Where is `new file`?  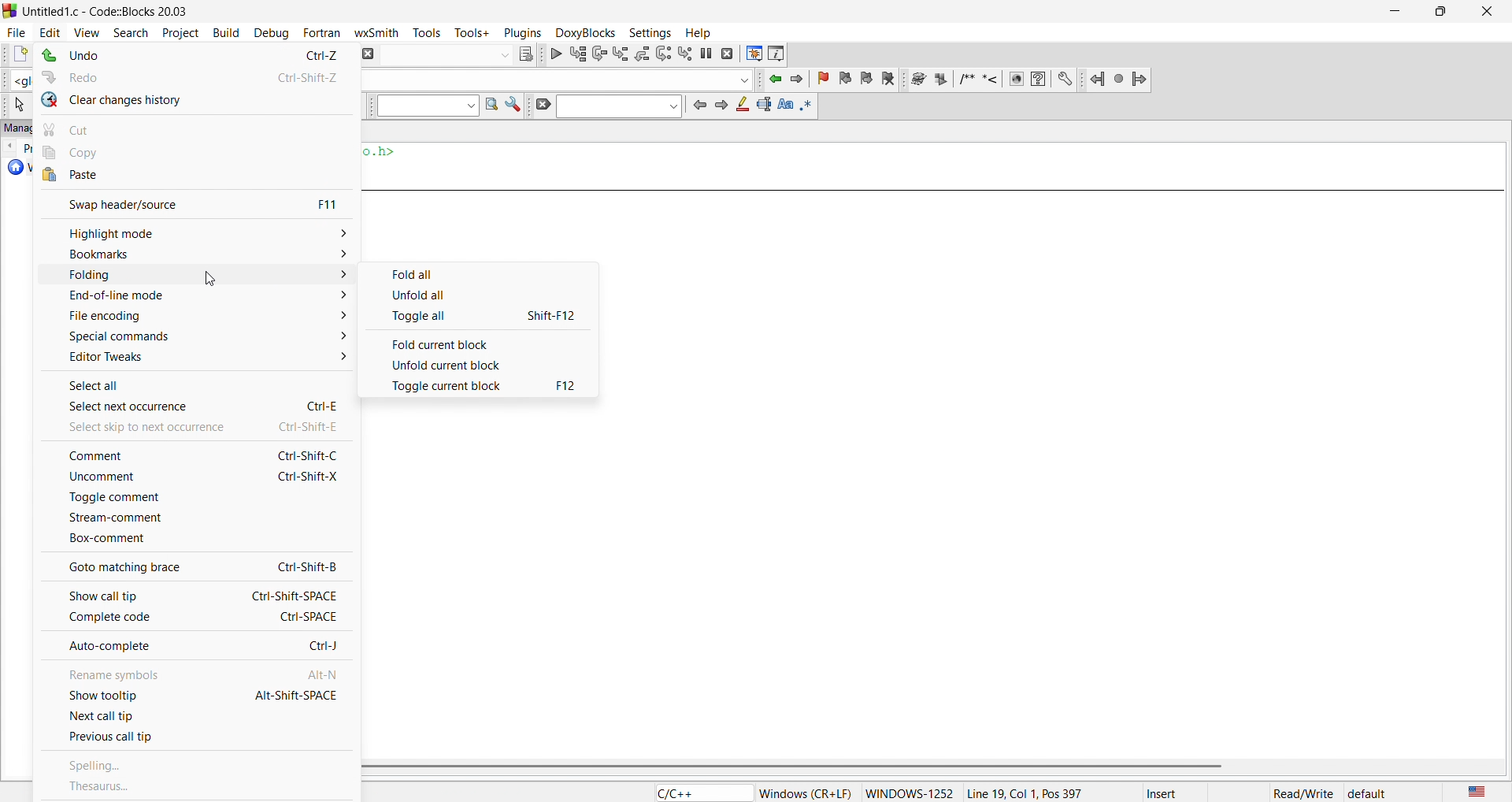
new file is located at coordinates (14, 55).